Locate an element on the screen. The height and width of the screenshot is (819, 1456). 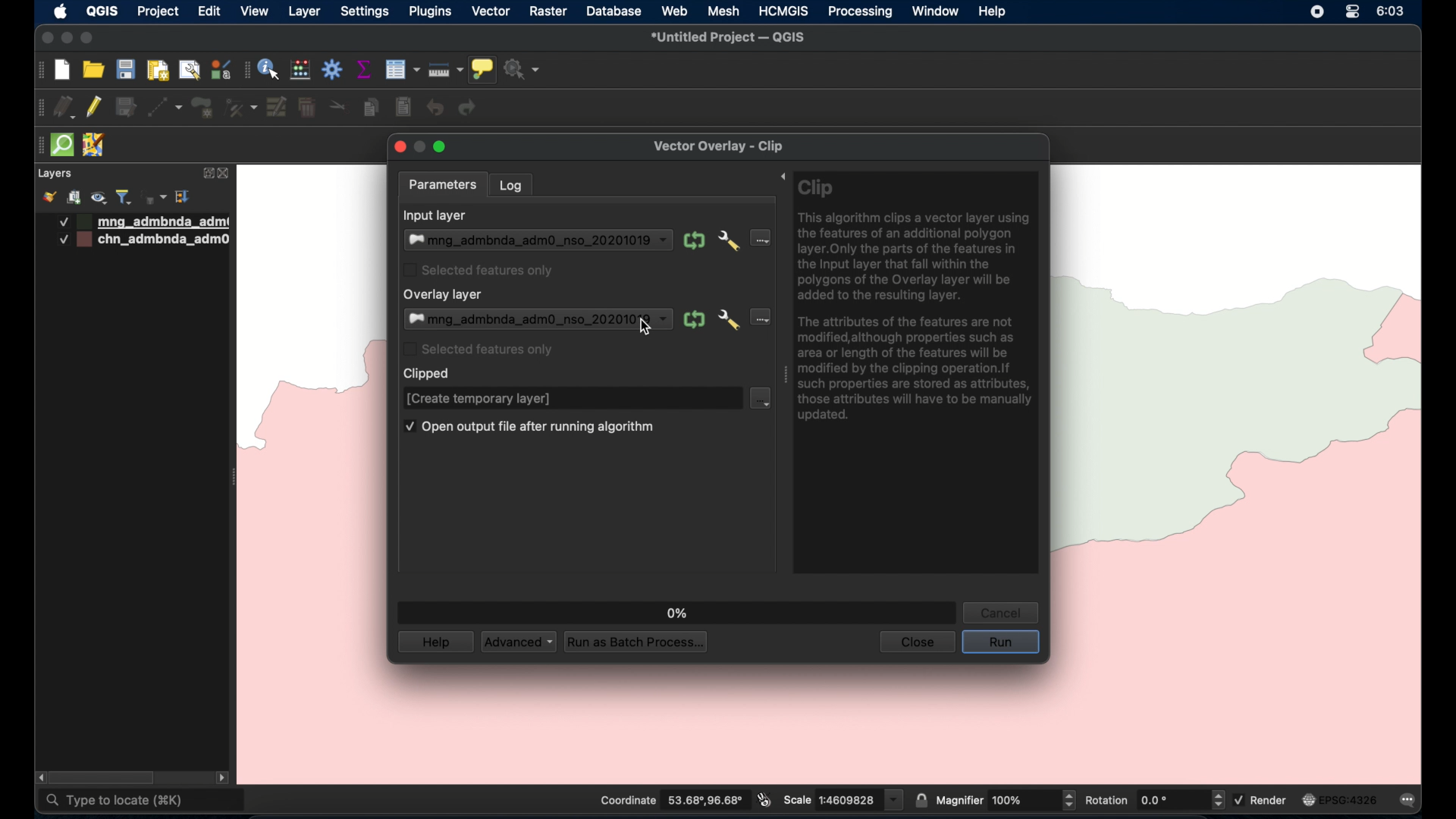
minimize is located at coordinates (67, 39).